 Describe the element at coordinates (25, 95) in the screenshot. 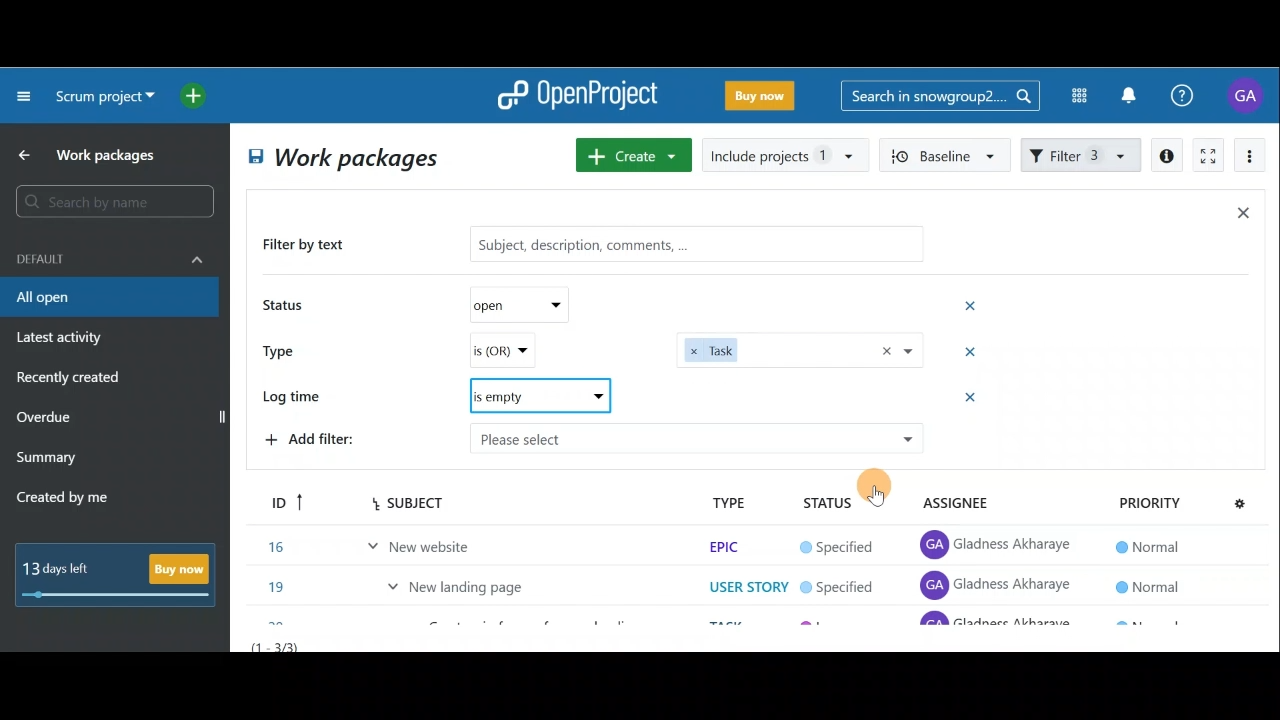

I see `Collapse project menu` at that location.